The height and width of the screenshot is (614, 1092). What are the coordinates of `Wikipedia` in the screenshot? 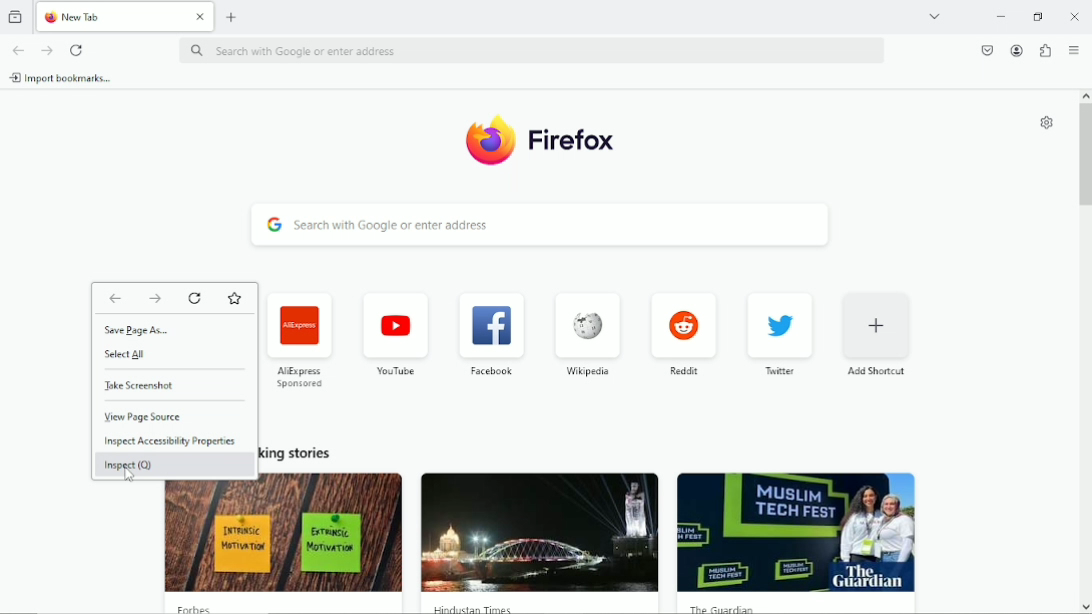 It's located at (586, 336).